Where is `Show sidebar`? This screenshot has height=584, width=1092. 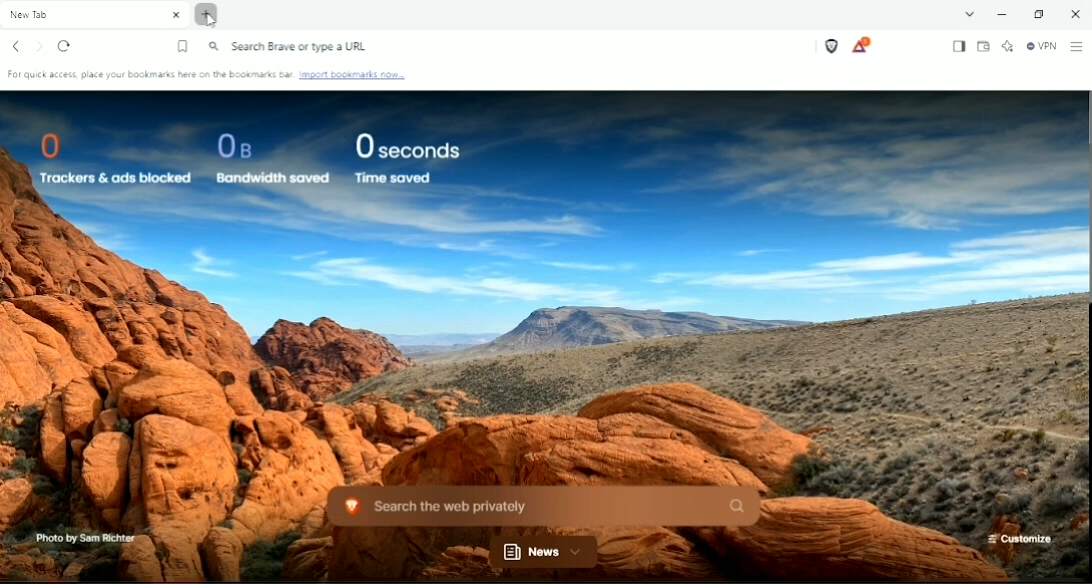 Show sidebar is located at coordinates (959, 48).